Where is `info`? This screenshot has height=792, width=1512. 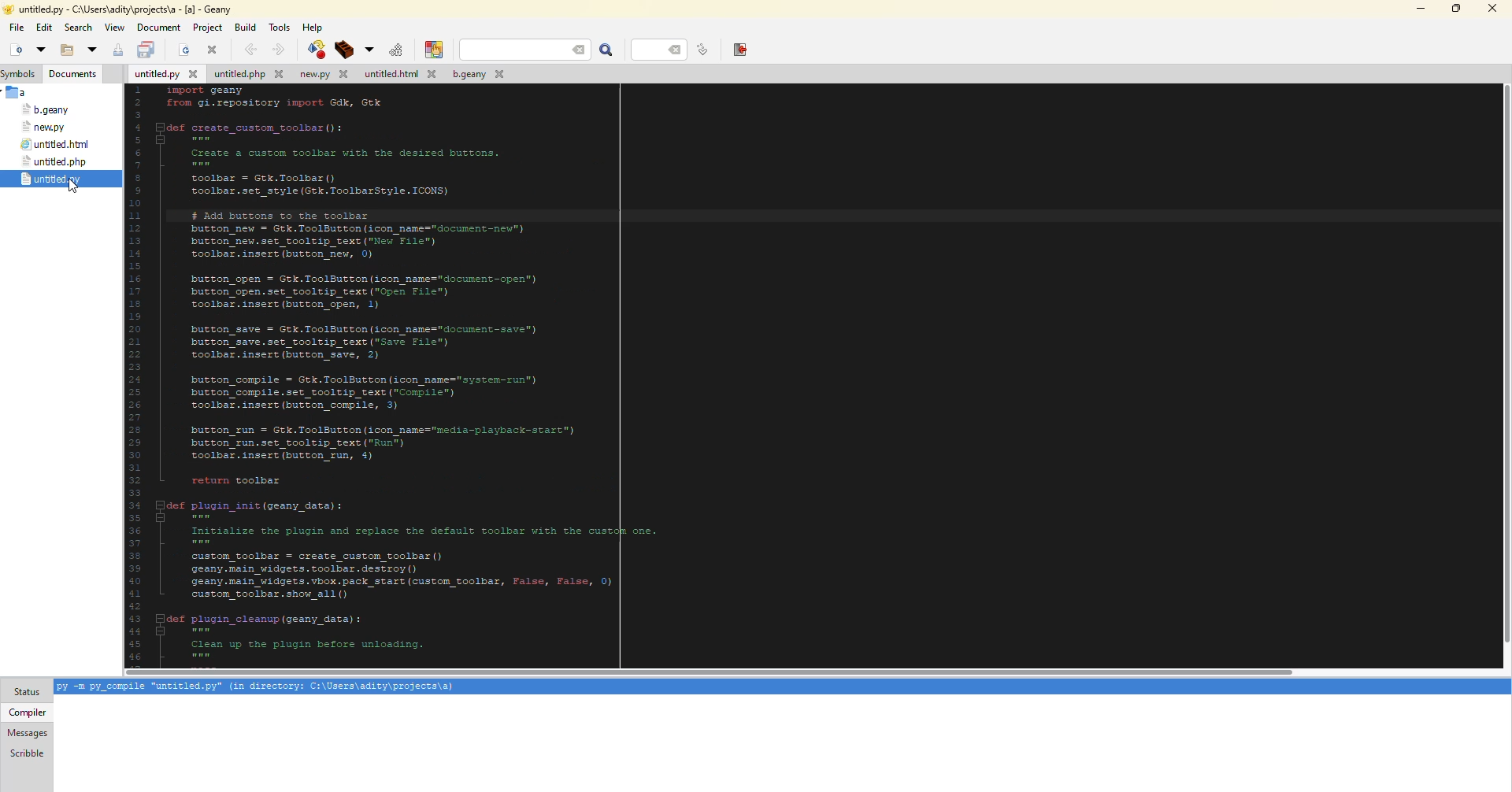 info is located at coordinates (255, 687).